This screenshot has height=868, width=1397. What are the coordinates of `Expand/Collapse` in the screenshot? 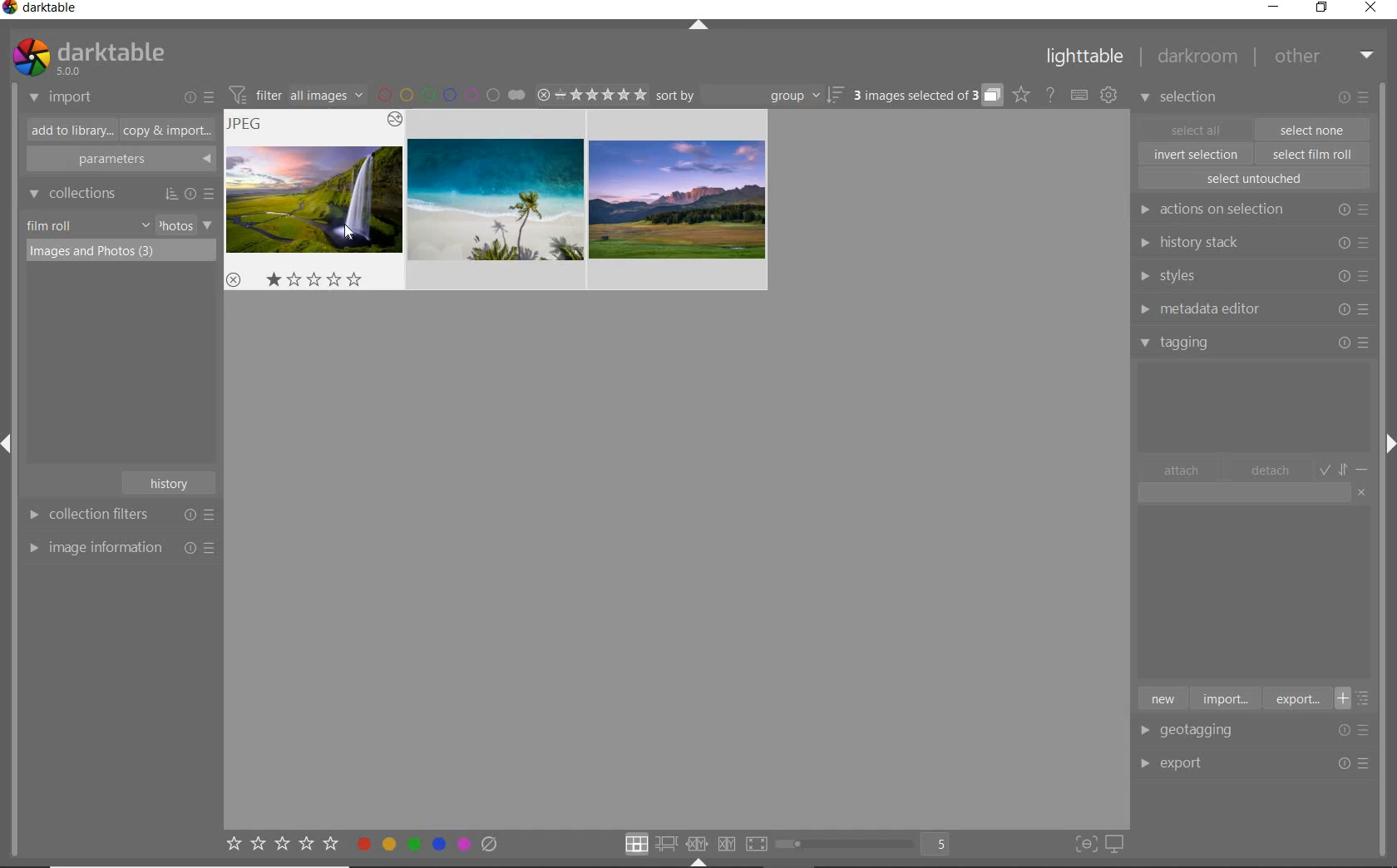 It's located at (692, 862).